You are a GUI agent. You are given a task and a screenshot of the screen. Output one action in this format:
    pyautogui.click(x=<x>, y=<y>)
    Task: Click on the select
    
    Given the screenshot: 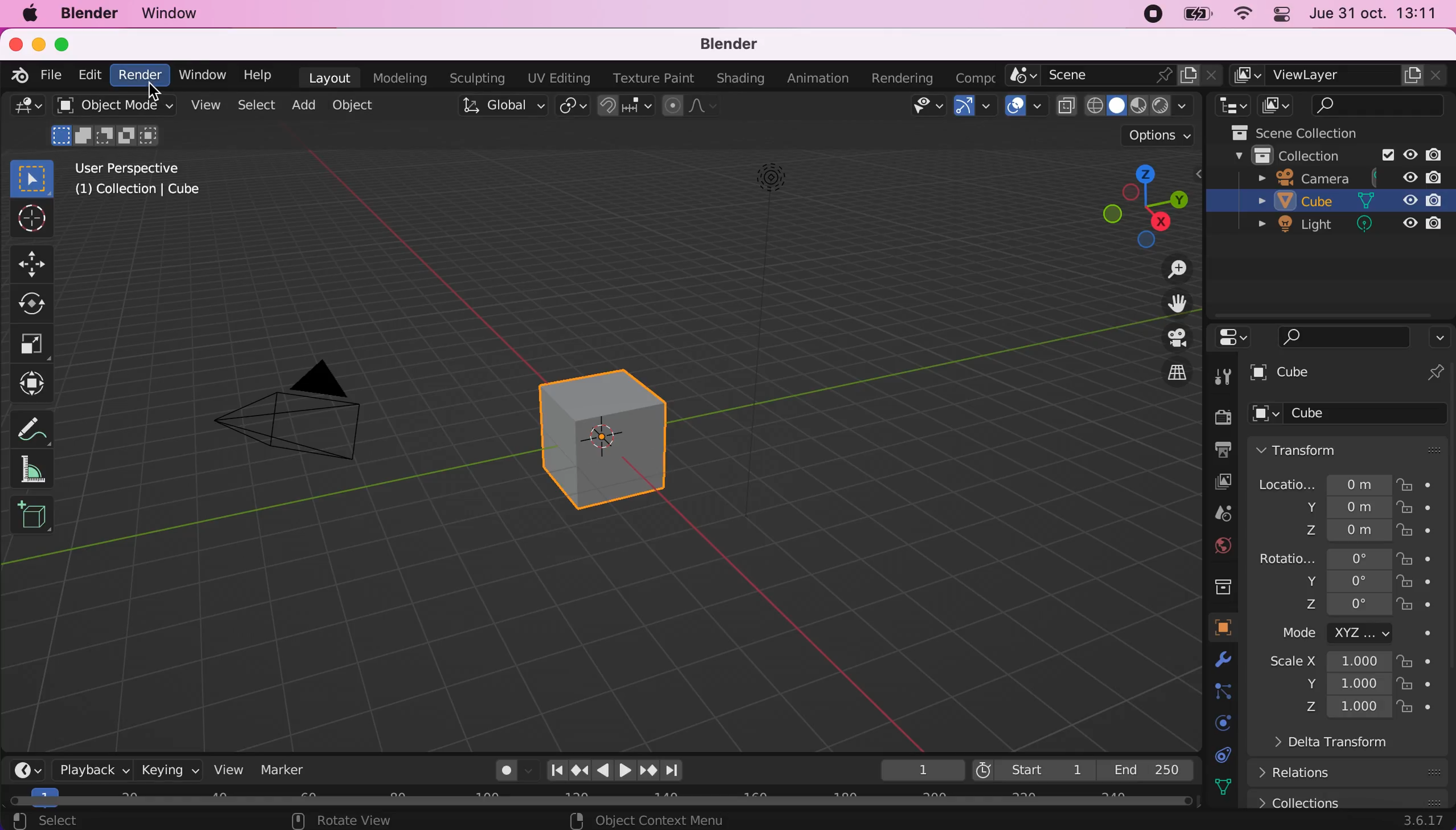 What is the action you would take?
    pyautogui.click(x=85, y=820)
    